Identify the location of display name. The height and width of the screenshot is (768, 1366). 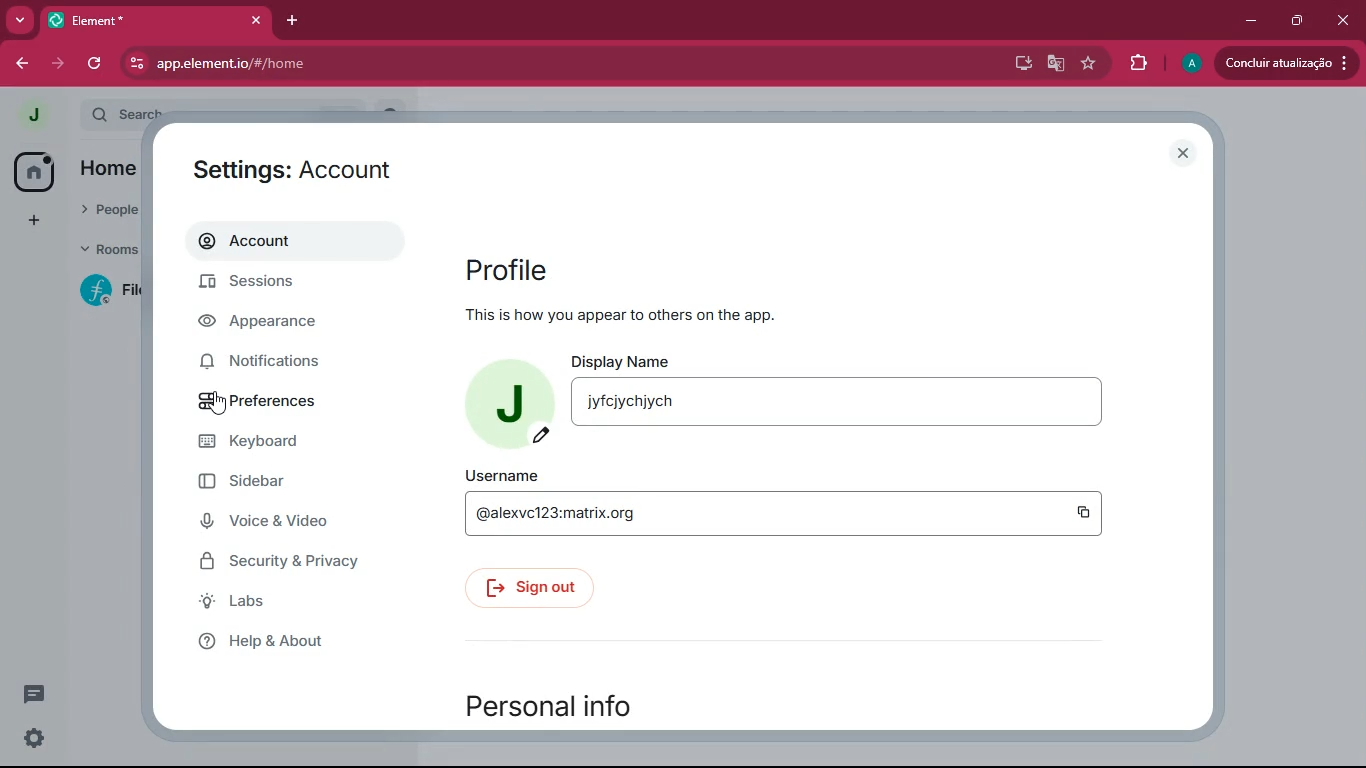
(627, 360).